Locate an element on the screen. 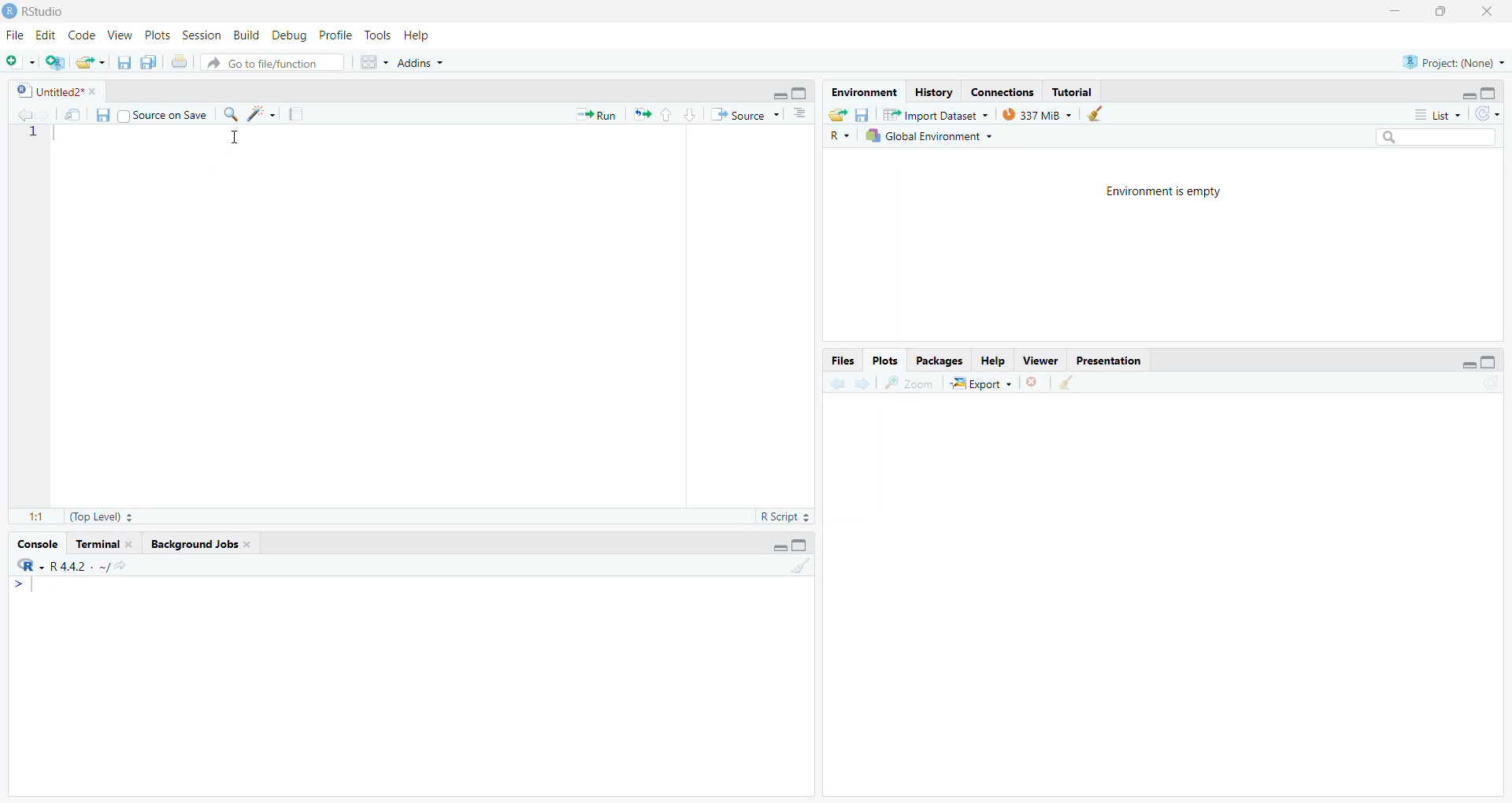 This screenshot has height=803, width=1512. Files is located at coordinates (840, 361).